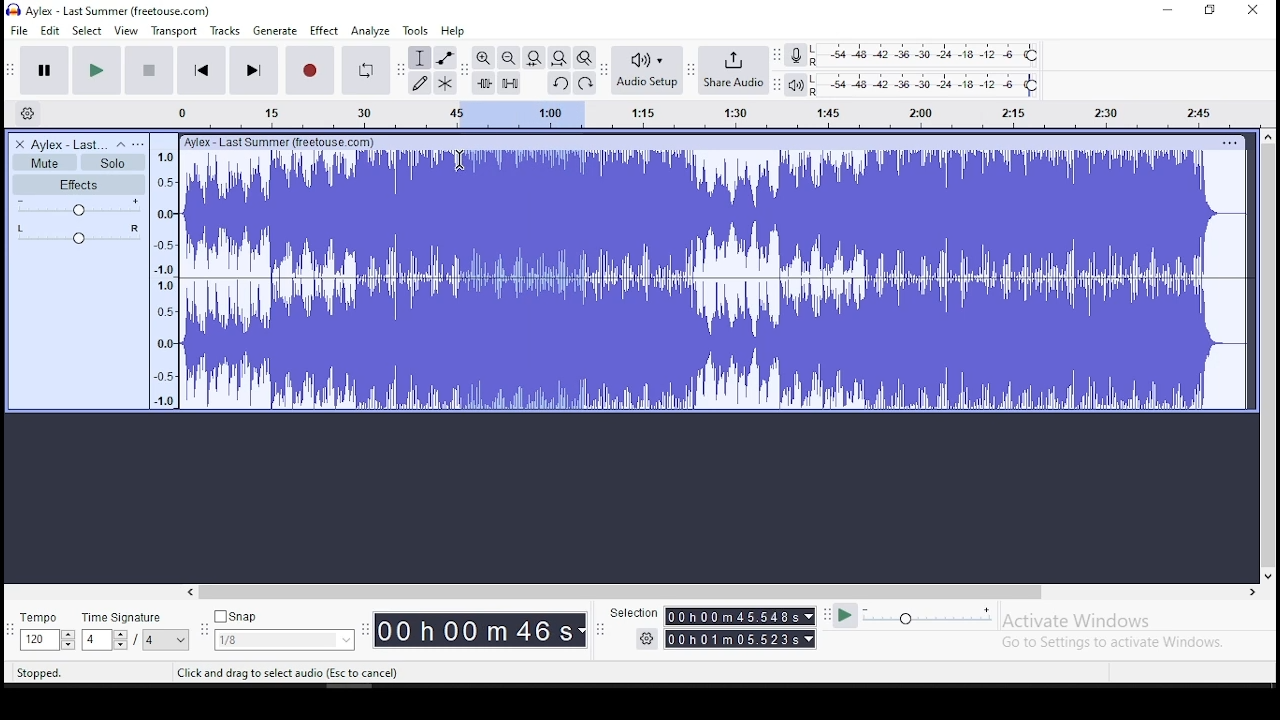 This screenshot has width=1280, height=720. Describe the element at coordinates (76, 207) in the screenshot. I see `volume` at that location.